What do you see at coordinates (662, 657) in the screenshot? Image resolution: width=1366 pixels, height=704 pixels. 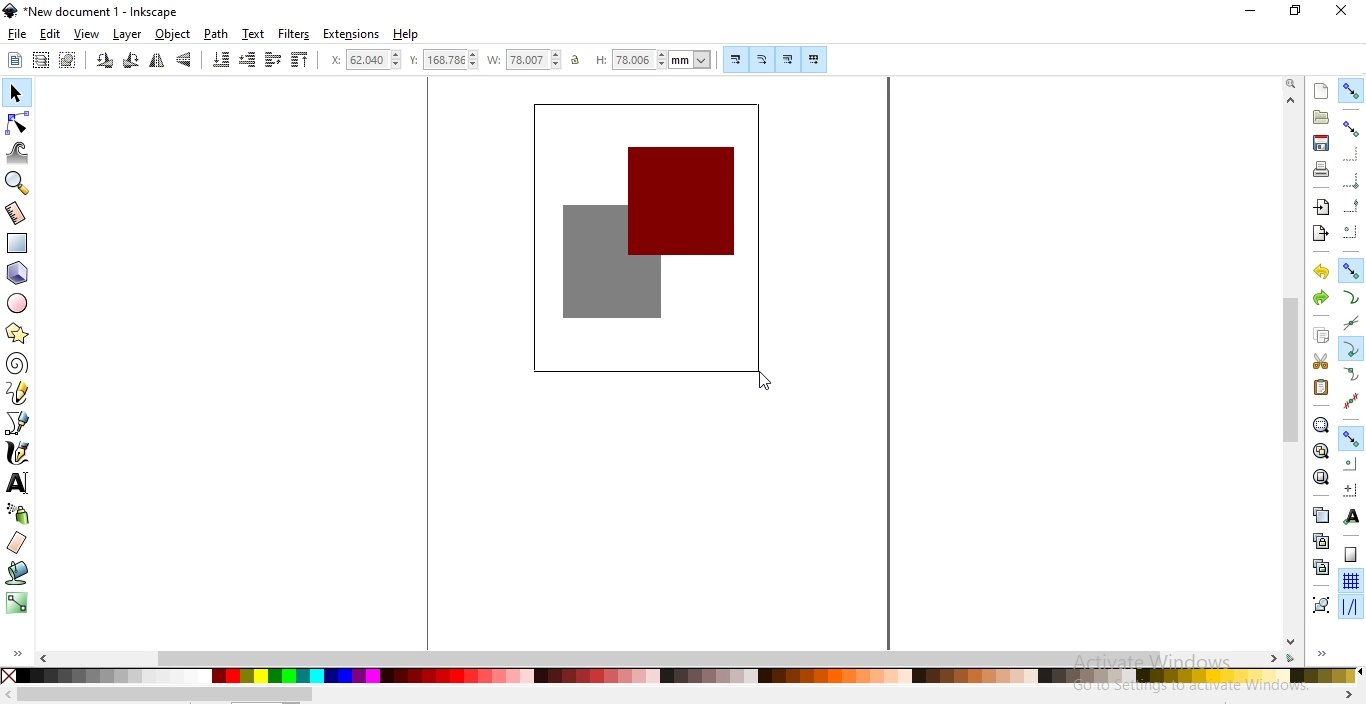 I see `scrollbar` at bounding box center [662, 657].